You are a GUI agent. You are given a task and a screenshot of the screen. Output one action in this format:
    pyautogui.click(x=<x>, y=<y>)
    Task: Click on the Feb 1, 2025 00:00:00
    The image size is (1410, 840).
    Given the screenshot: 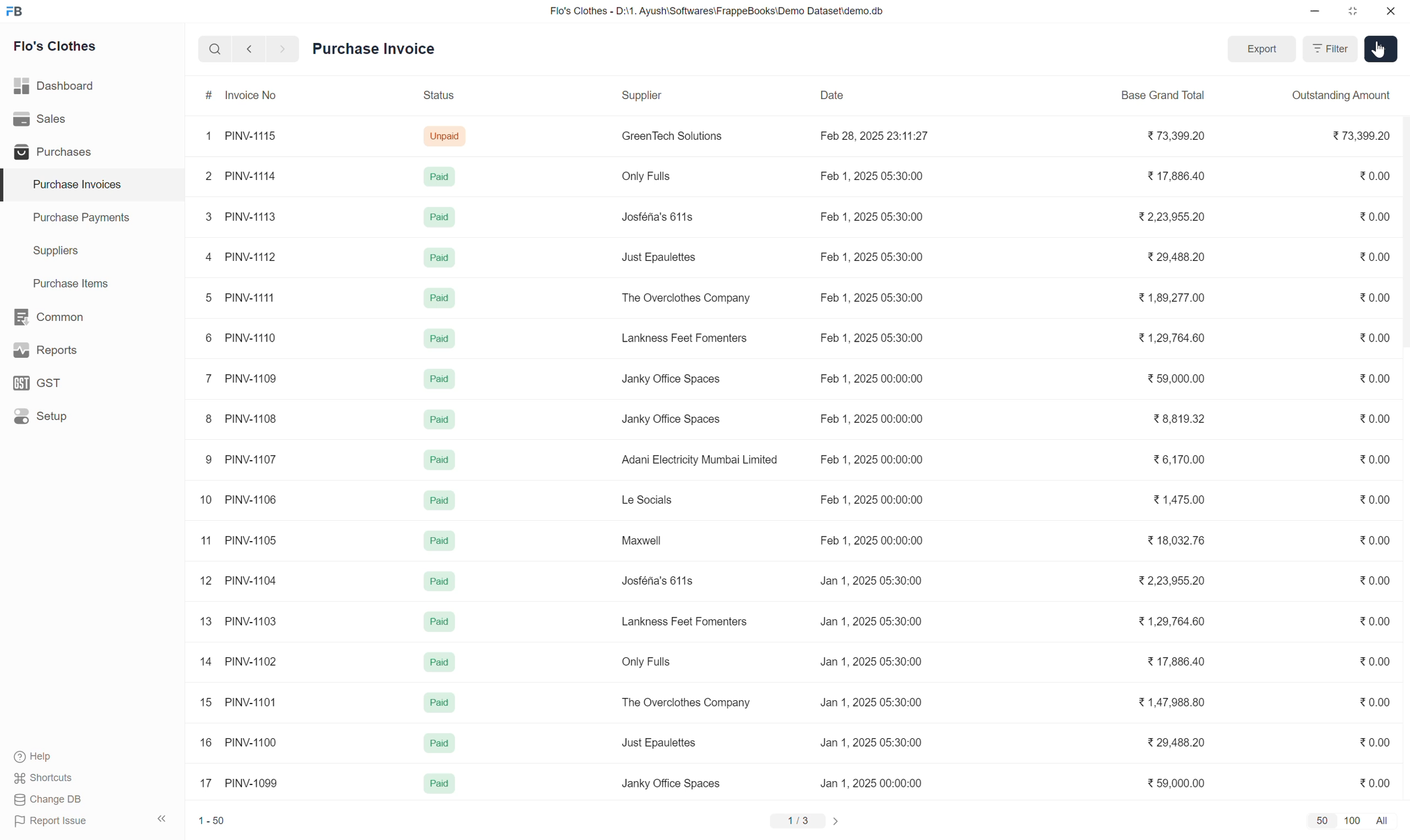 What is the action you would take?
    pyautogui.click(x=874, y=538)
    